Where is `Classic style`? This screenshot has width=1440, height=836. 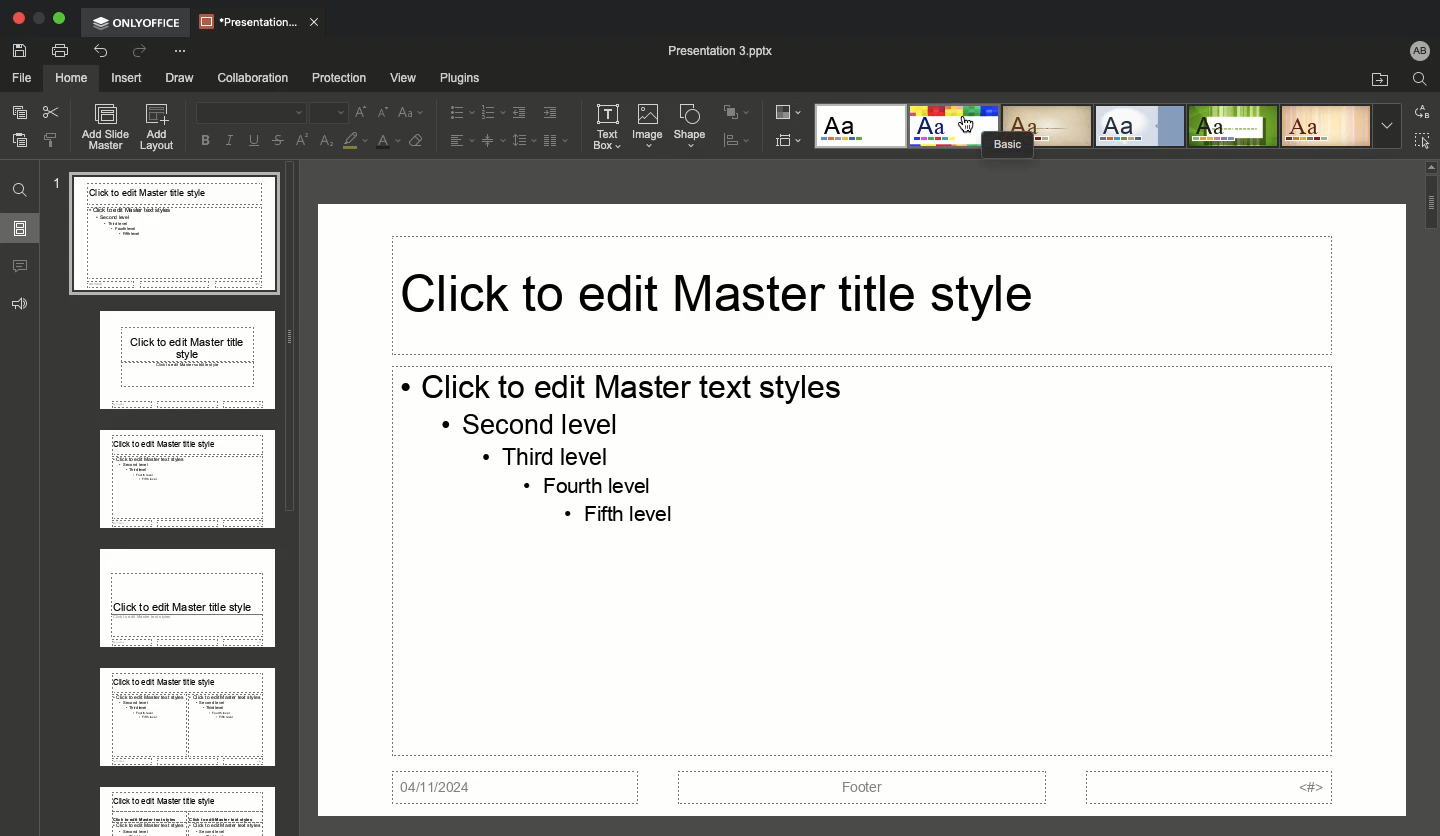
Classic style is located at coordinates (1060, 130).